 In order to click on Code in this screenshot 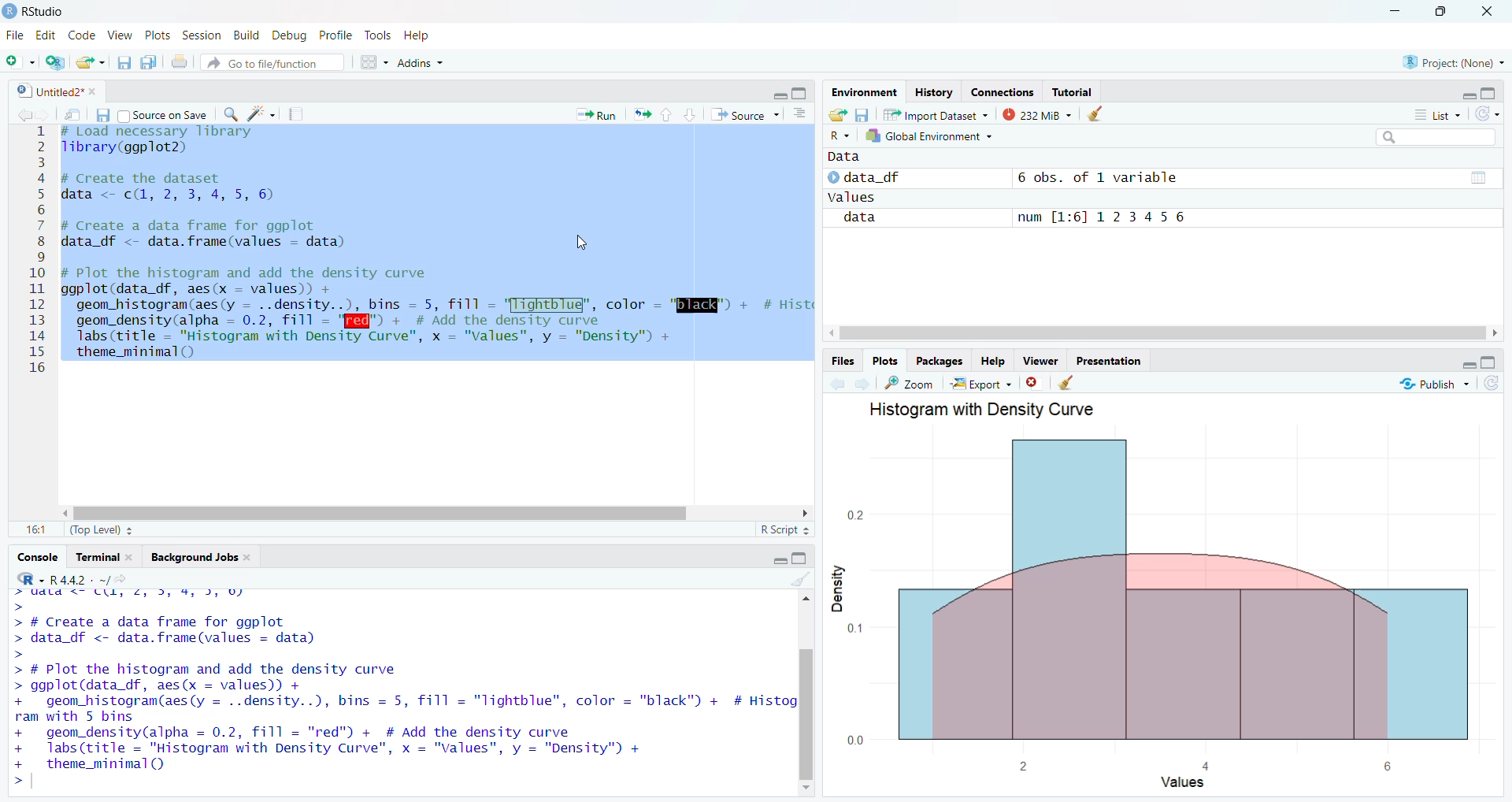, I will do `click(80, 33)`.